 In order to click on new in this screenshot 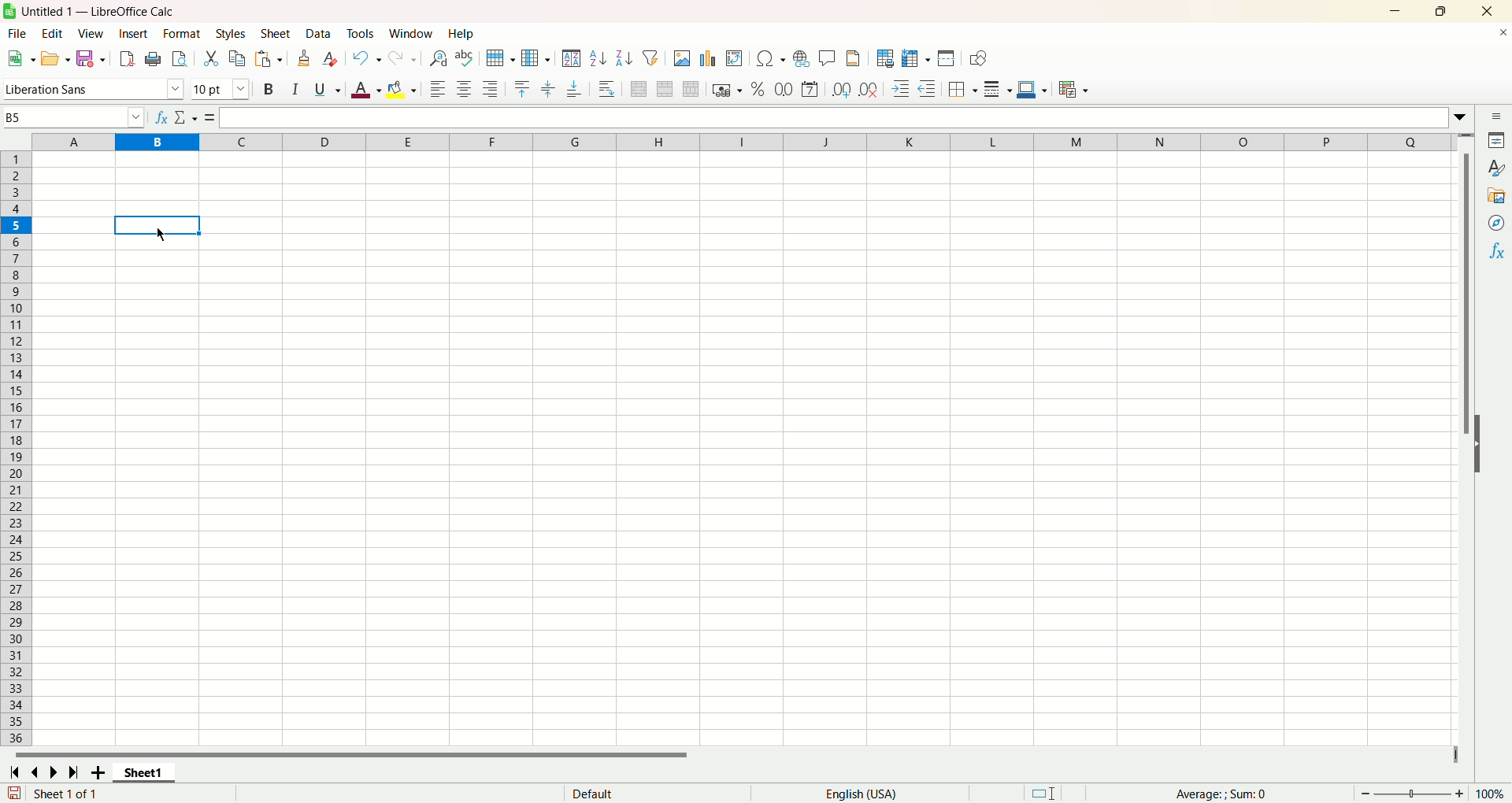, I will do `click(21, 58)`.